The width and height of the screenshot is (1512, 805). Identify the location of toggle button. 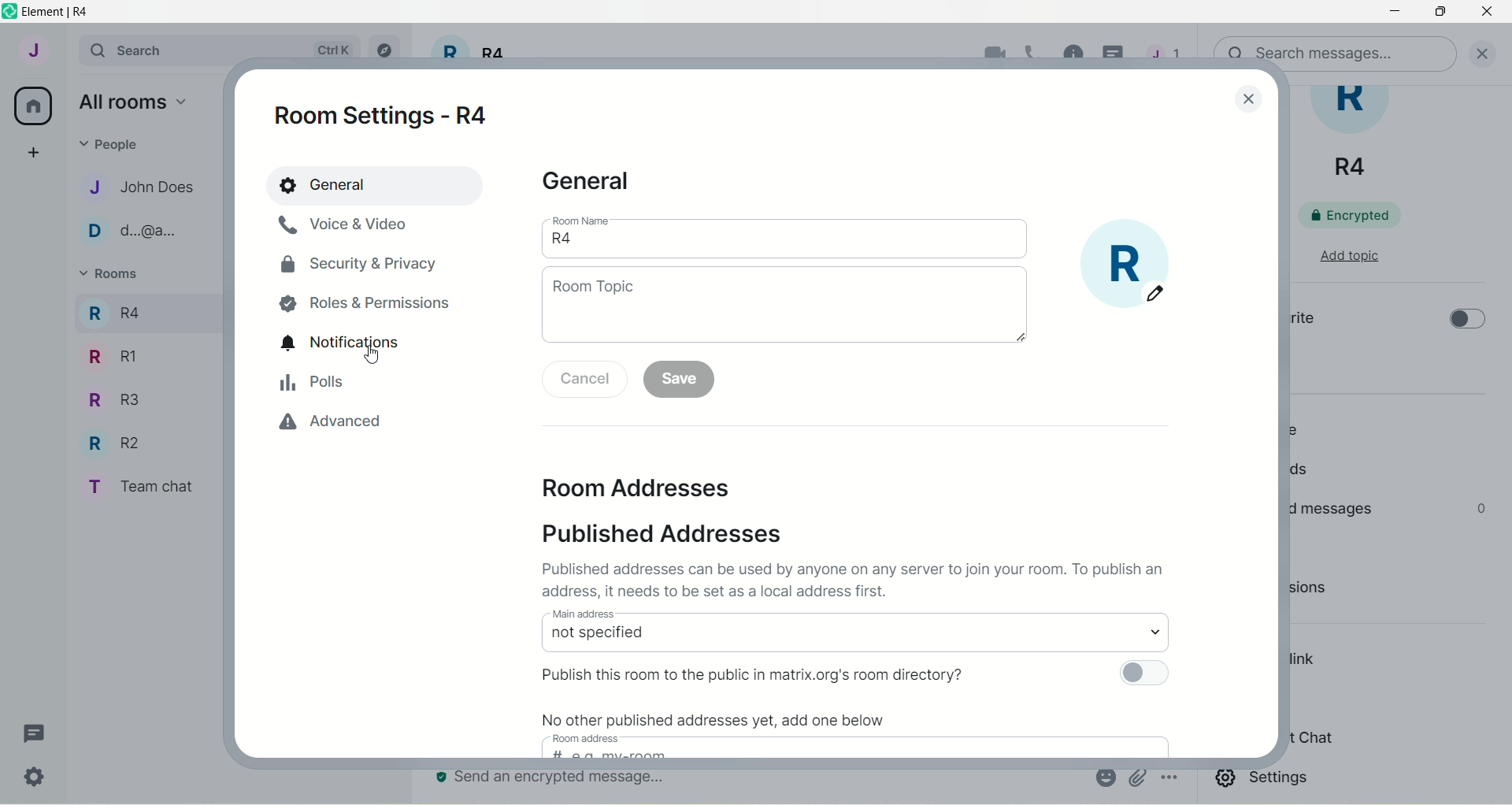
(1142, 673).